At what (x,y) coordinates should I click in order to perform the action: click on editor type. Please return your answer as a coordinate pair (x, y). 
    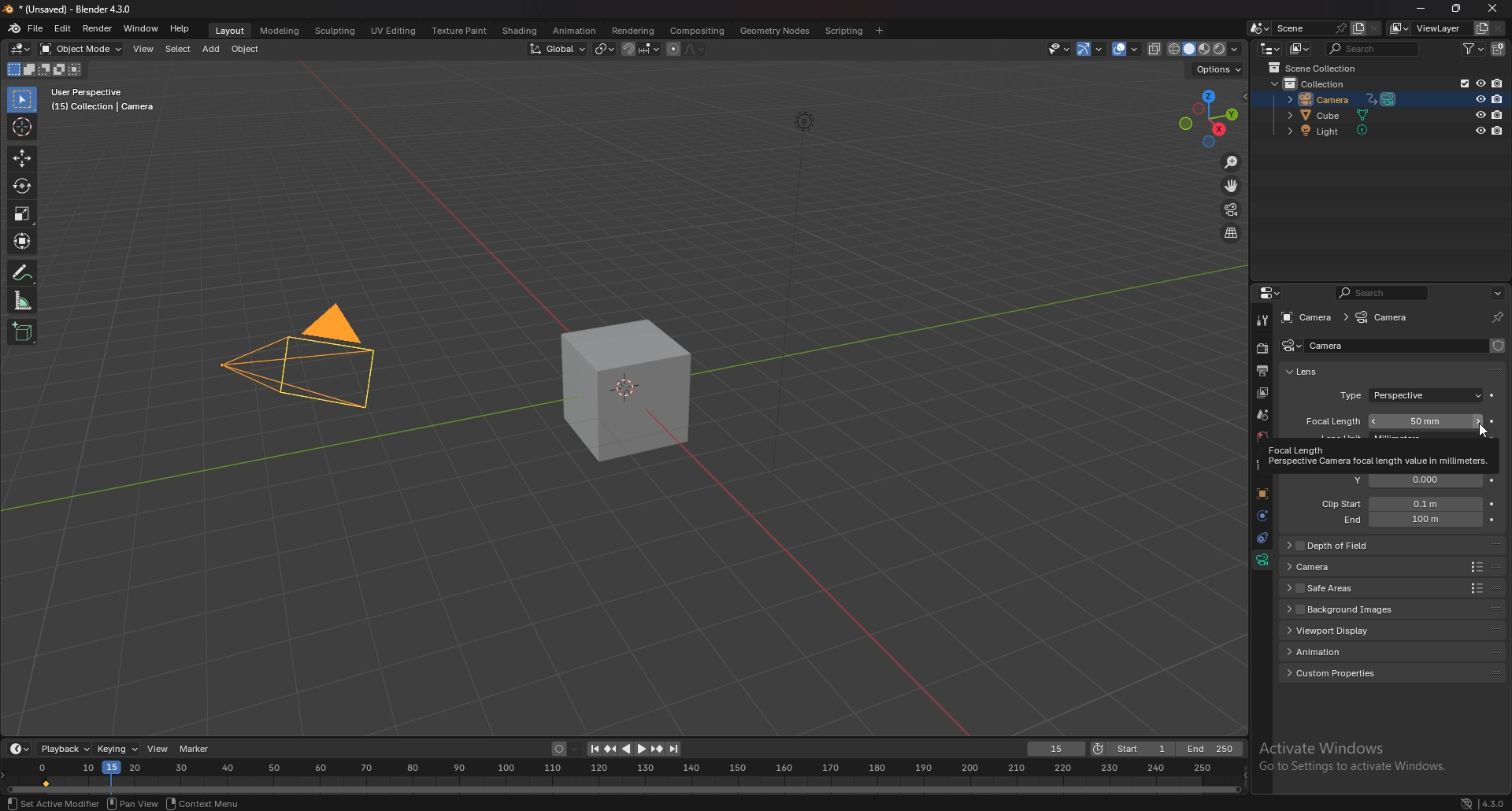
    Looking at the image, I should click on (20, 748).